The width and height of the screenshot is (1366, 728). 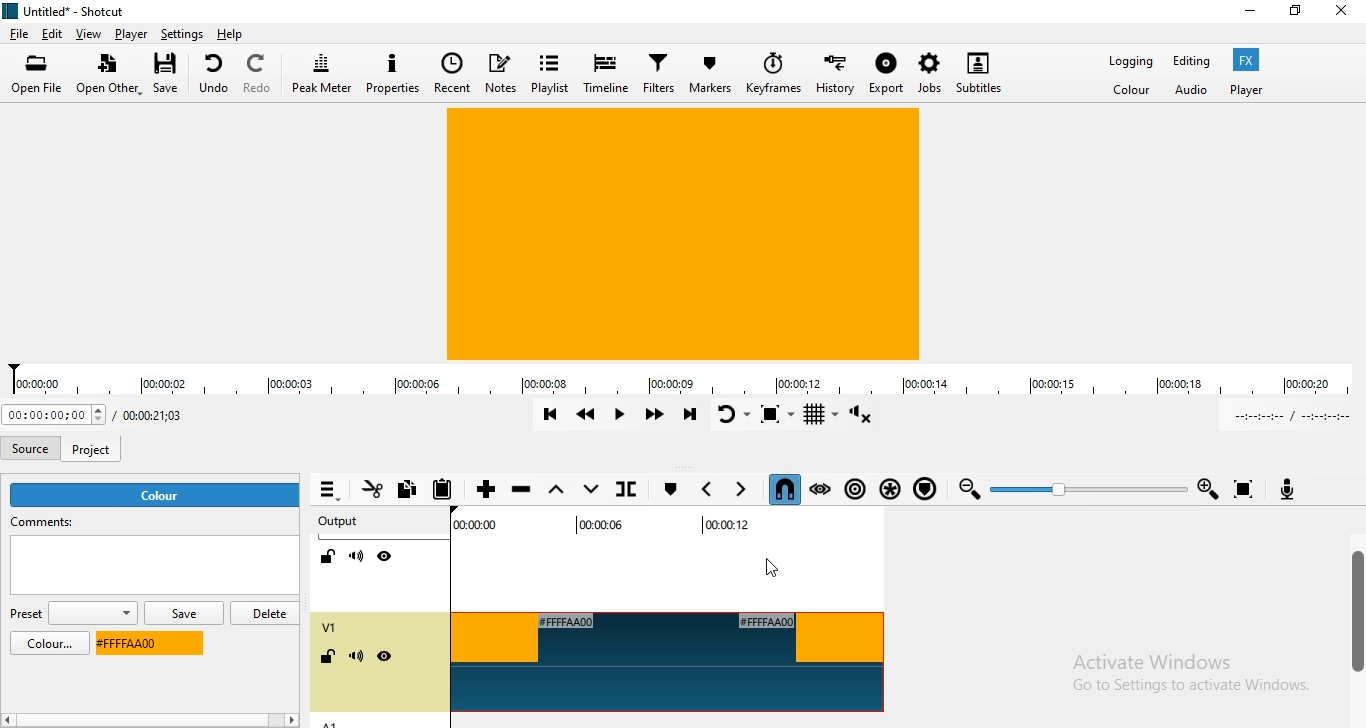 I want to click on Properties, so click(x=395, y=73).